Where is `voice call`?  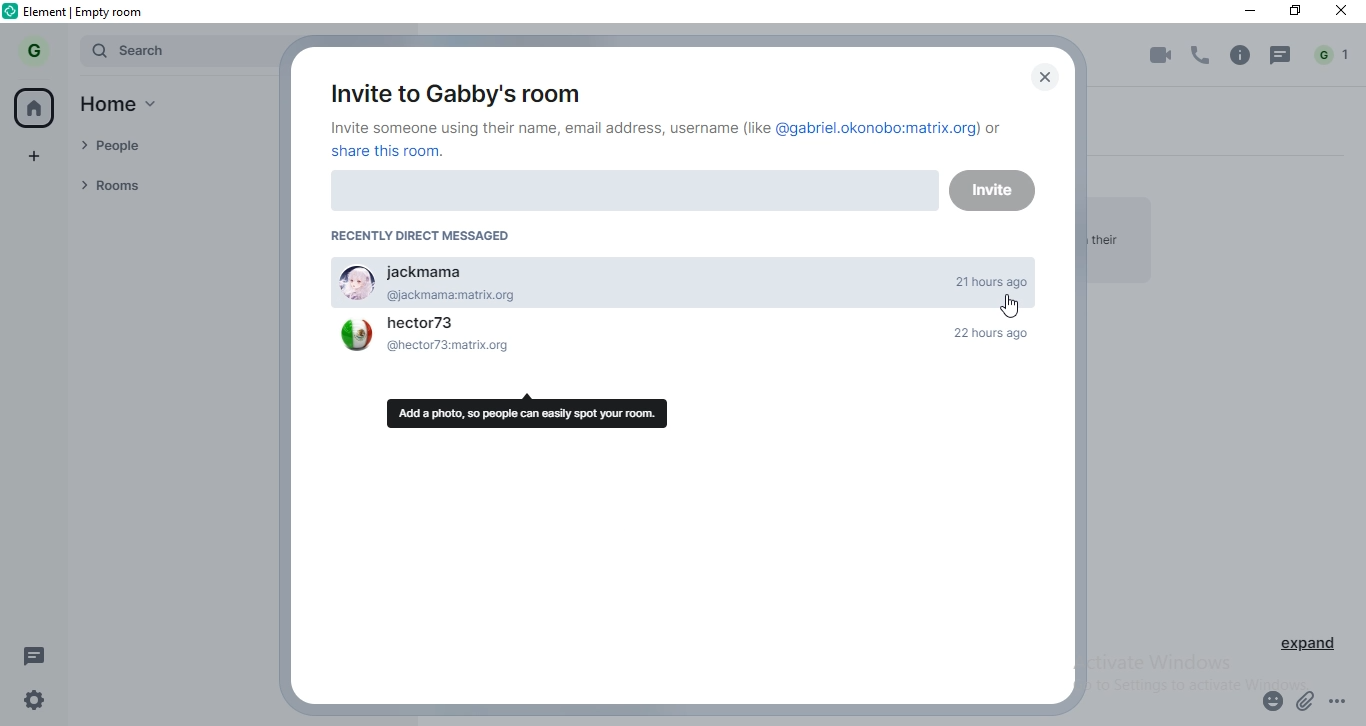
voice call is located at coordinates (1202, 56).